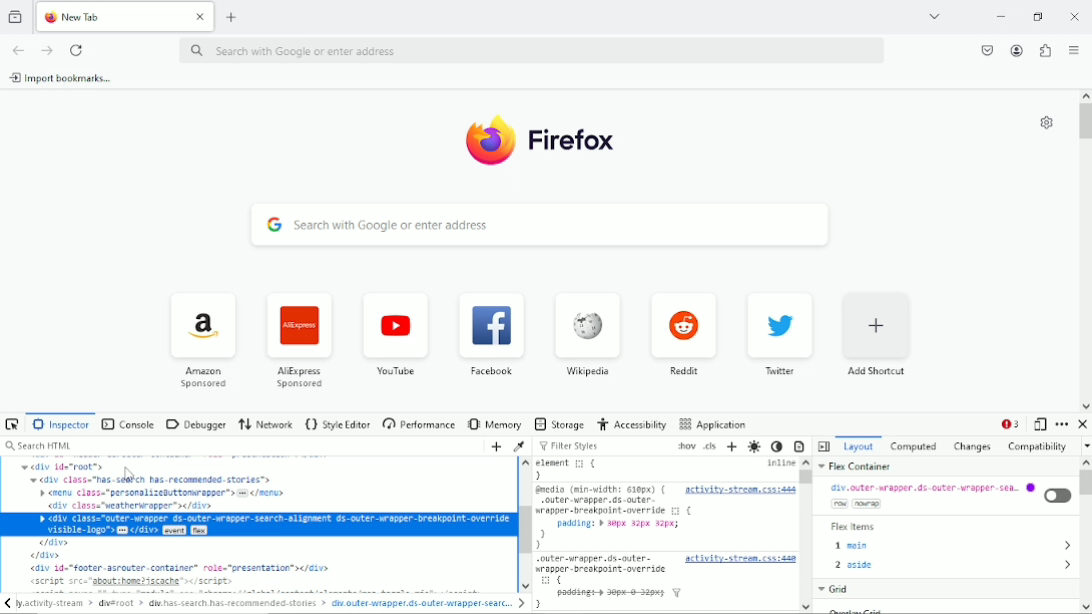  Describe the element at coordinates (934, 15) in the screenshot. I see `List all tabs` at that location.